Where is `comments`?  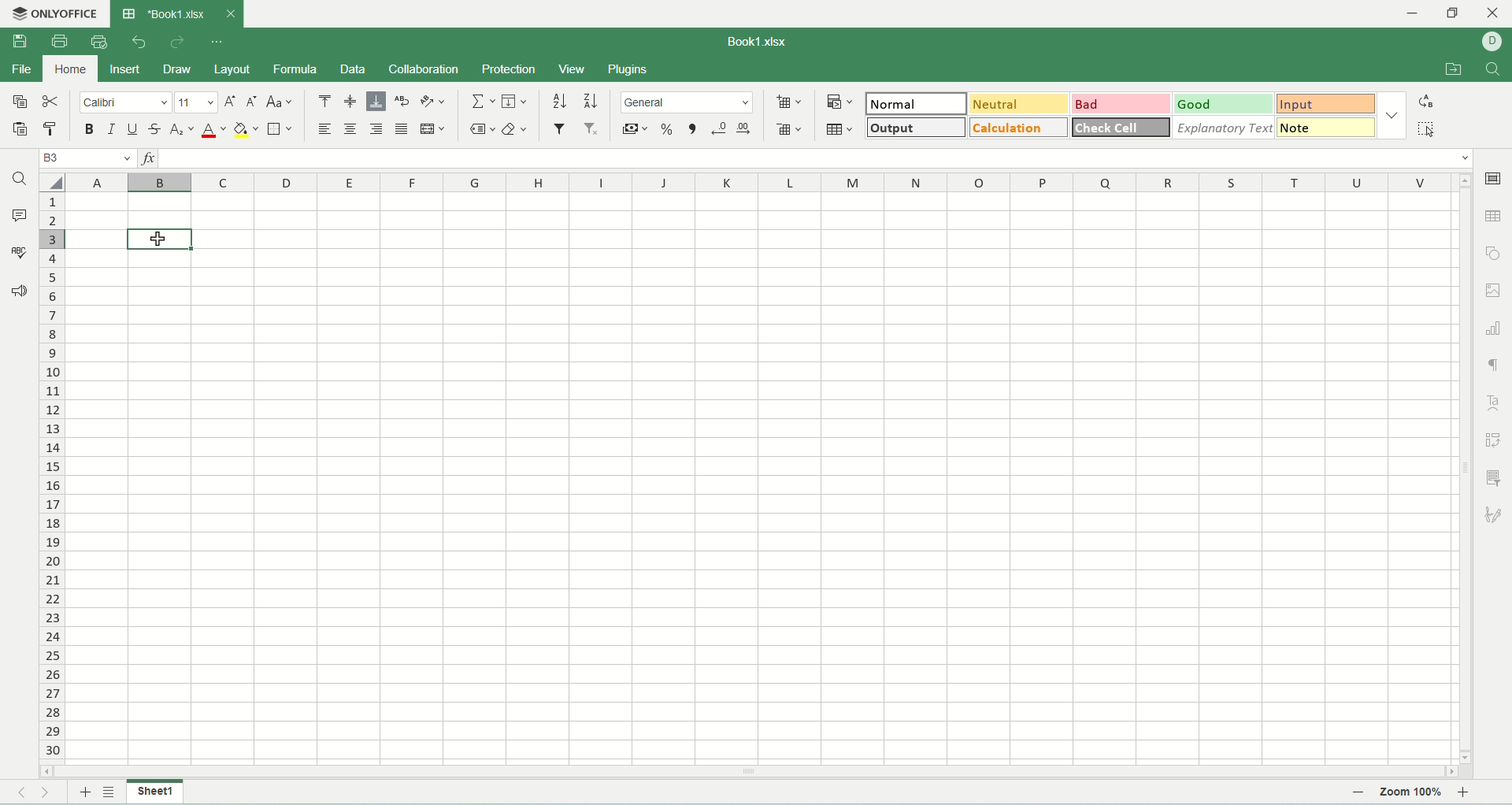
comments is located at coordinates (18, 213).